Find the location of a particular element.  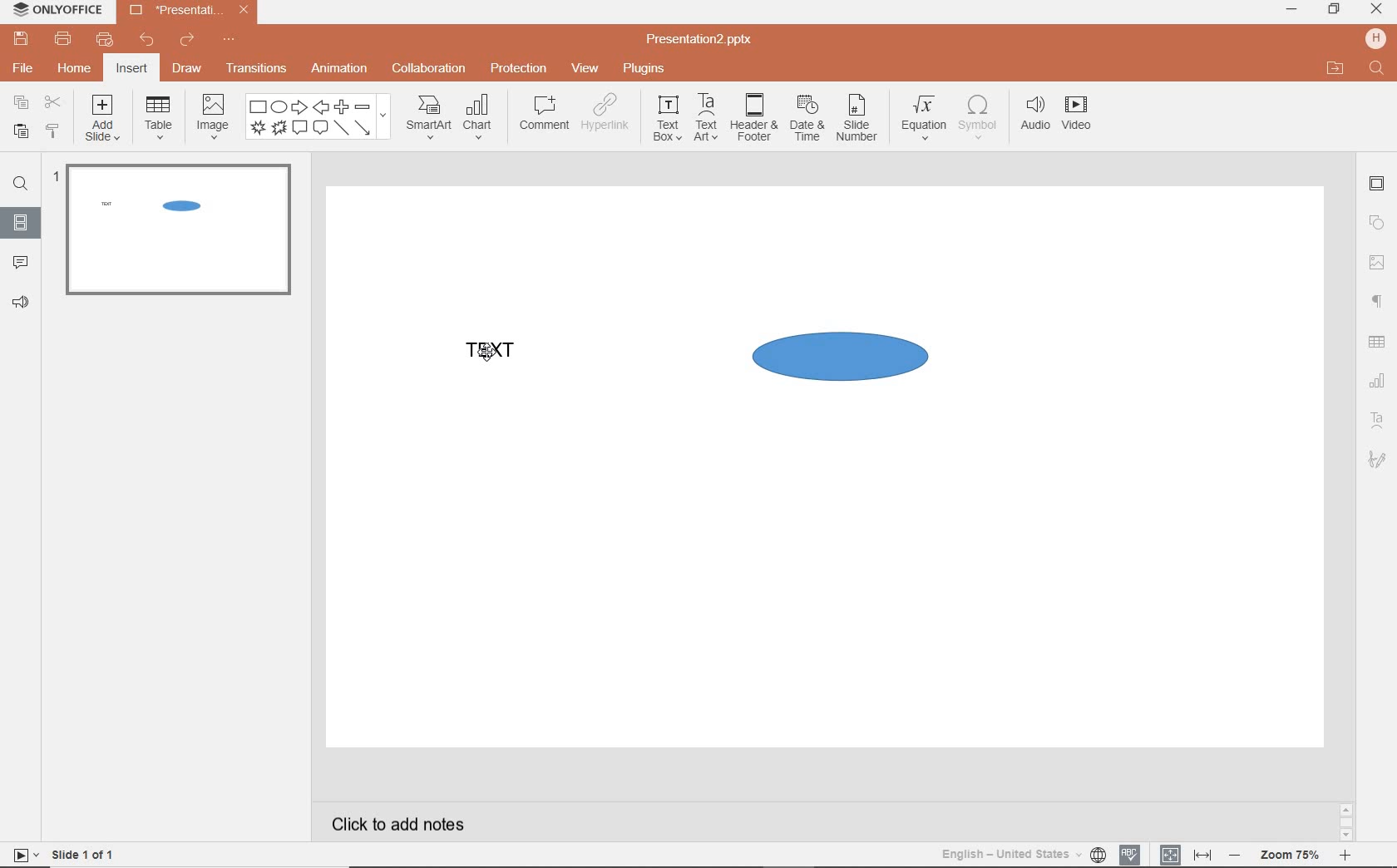

symbol is located at coordinates (975, 121).